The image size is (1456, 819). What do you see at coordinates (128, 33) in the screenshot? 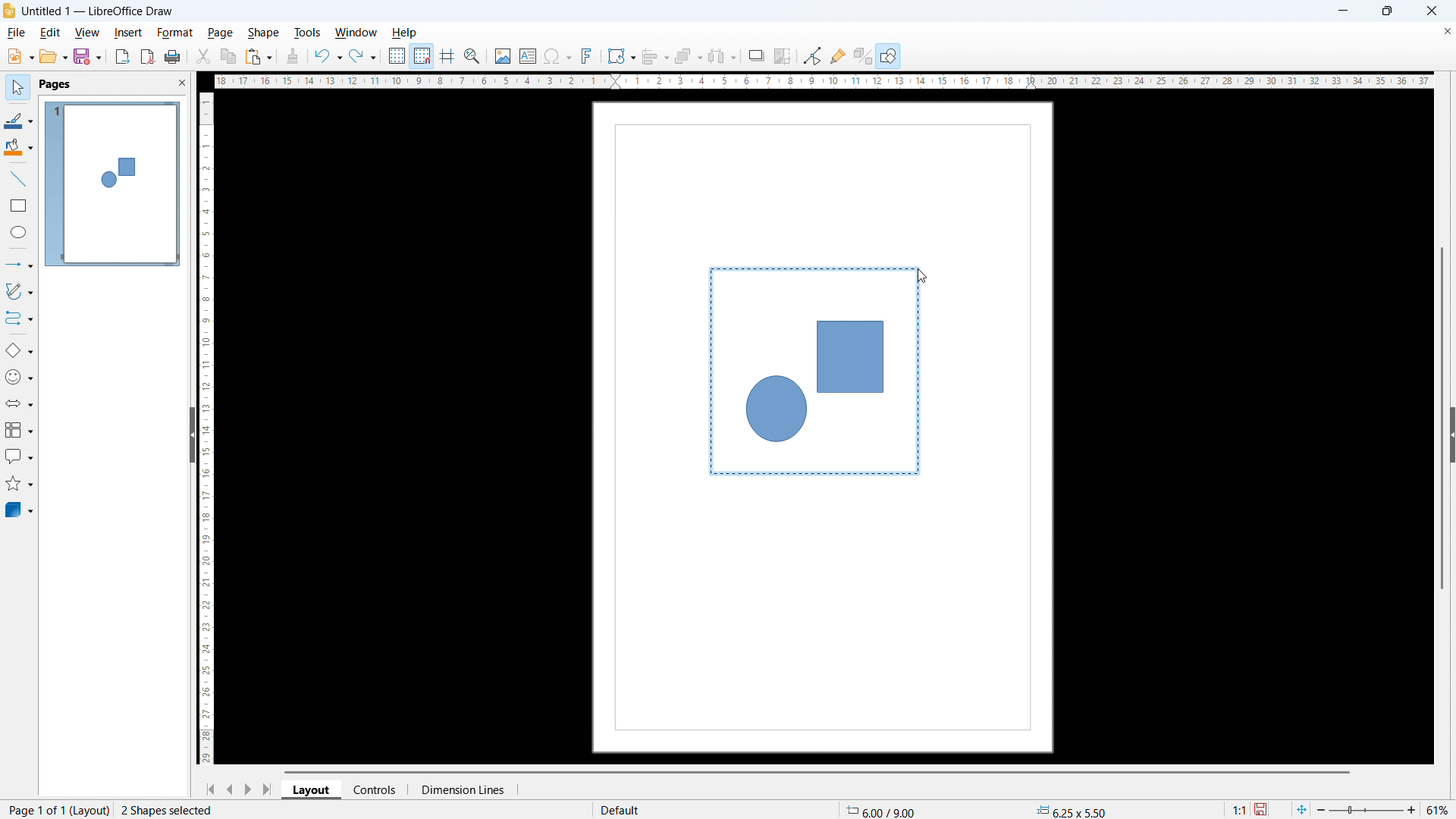
I see `insert` at bounding box center [128, 33].